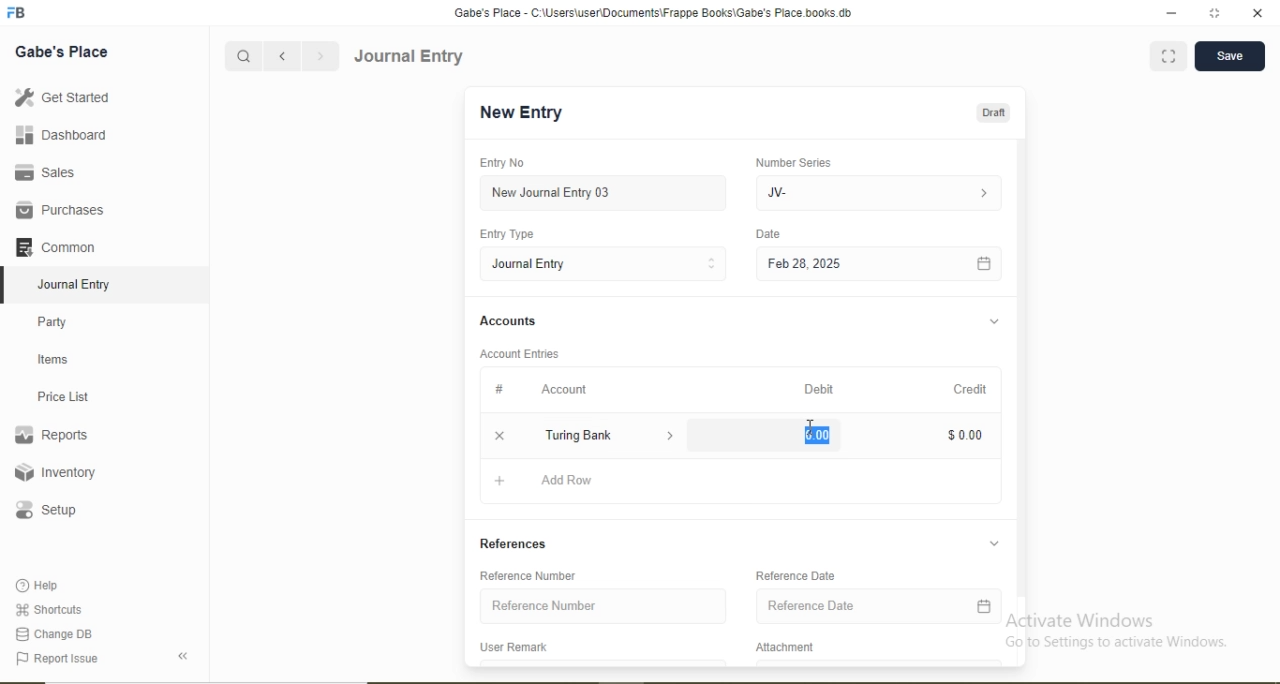  Describe the element at coordinates (62, 134) in the screenshot. I see `Dashboard` at that location.